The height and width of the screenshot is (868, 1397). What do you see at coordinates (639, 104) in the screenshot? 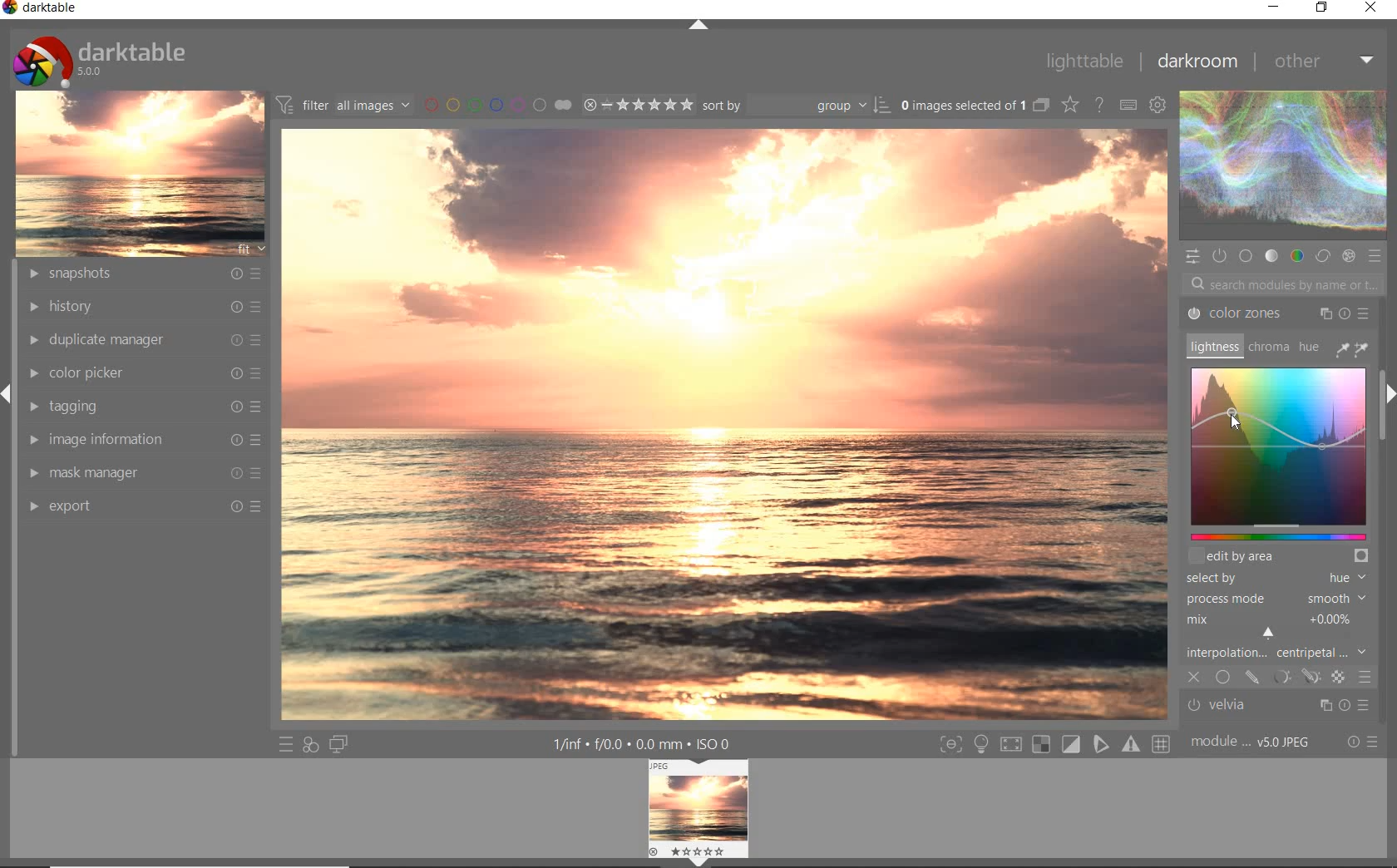
I see `SELECTED IMAGE RANGE RATING` at bounding box center [639, 104].